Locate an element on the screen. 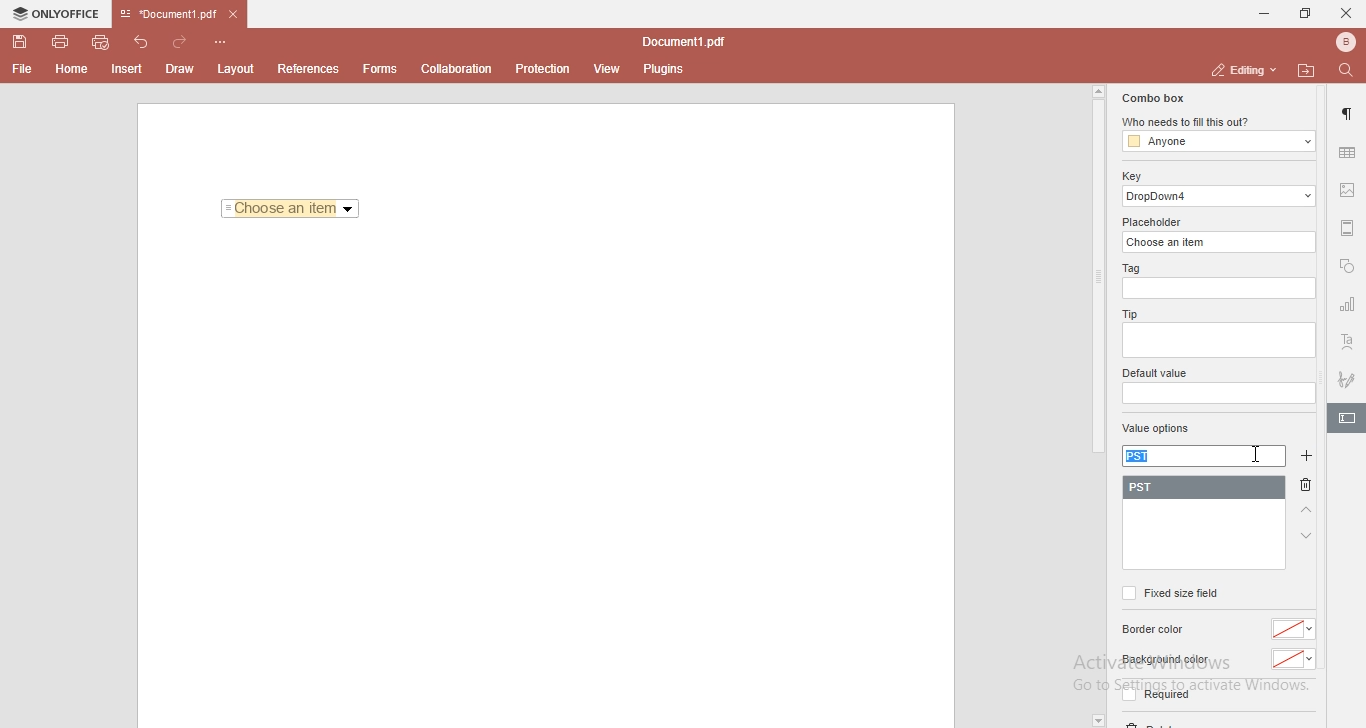 The width and height of the screenshot is (1366, 728). File is located at coordinates (20, 69).